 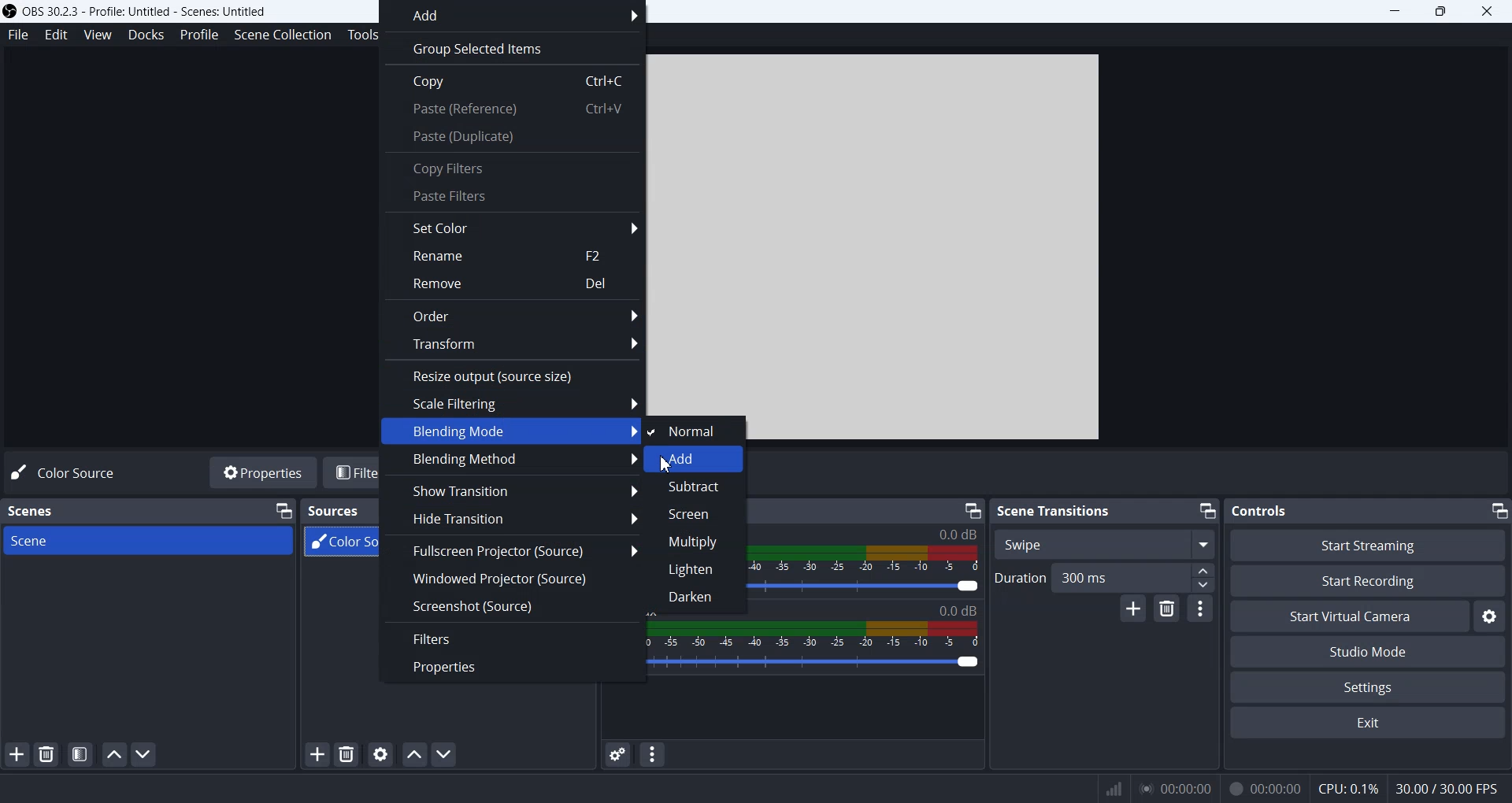 What do you see at coordinates (1207, 512) in the screenshot?
I see `Minimize` at bounding box center [1207, 512].